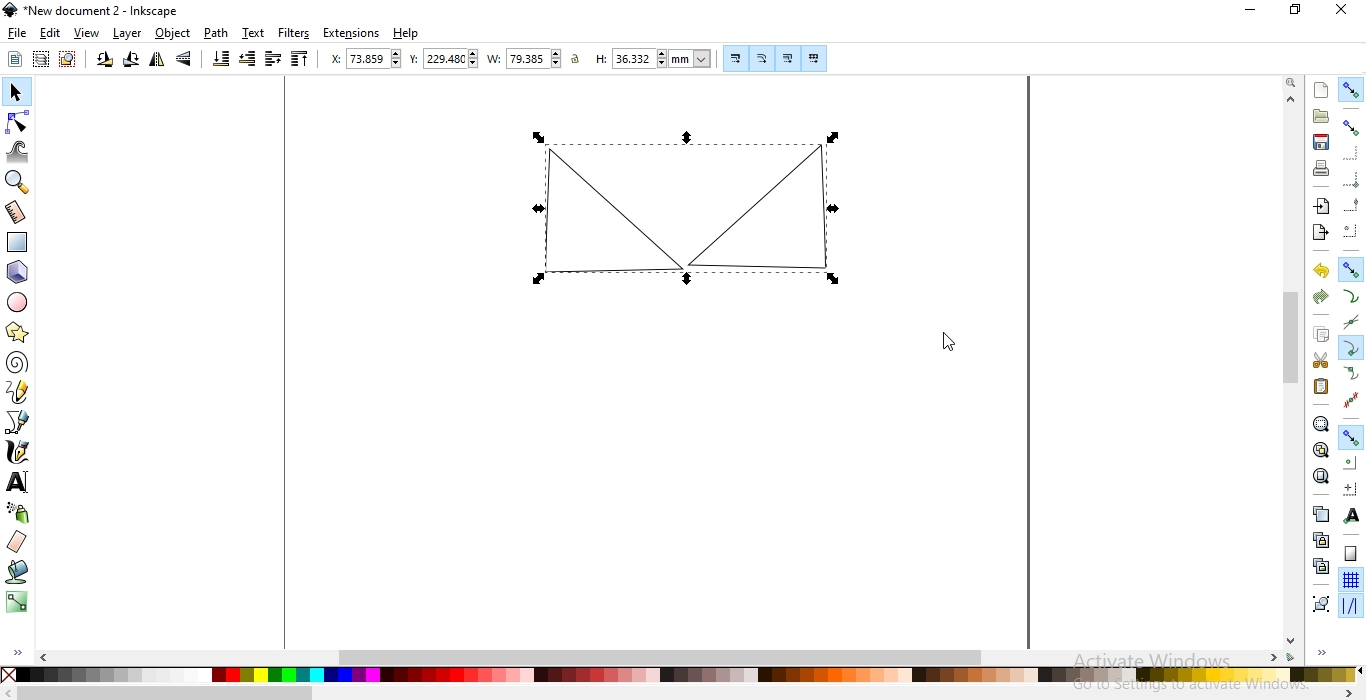 The height and width of the screenshot is (700, 1366). I want to click on move patterns along with objects, so click(814, 56).